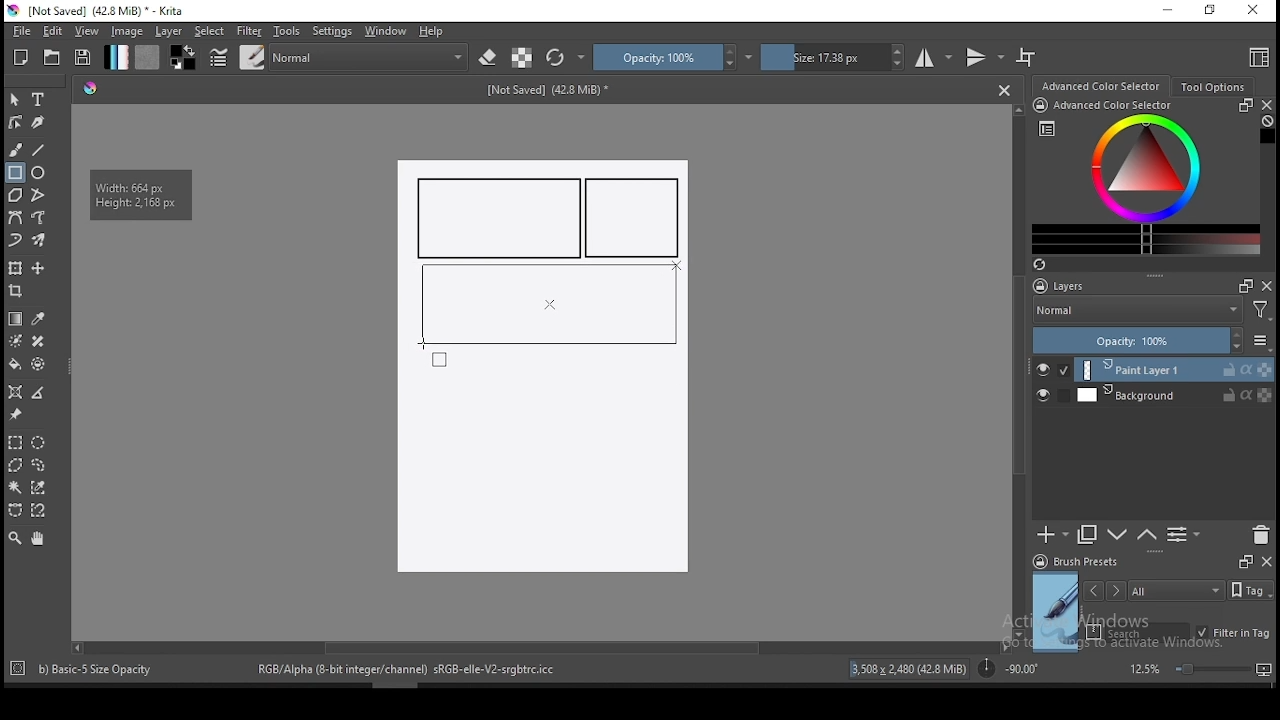 The image size is (1280, 720). Describe the element at coordinates (217, 57) in the screenshot. I see `brush settings` at that location.